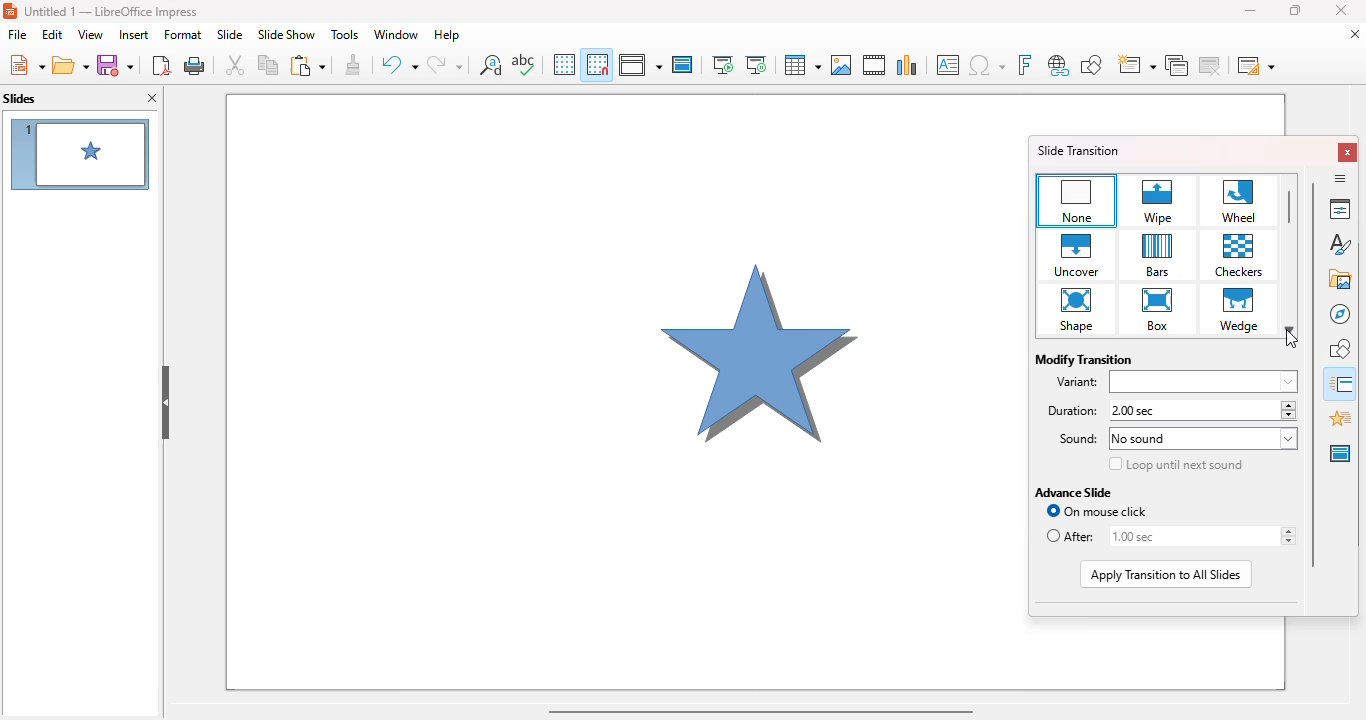 The height and width of the screenshot is (720, 1366). I want to click on apply transition to all slides, so click(1166, 575).